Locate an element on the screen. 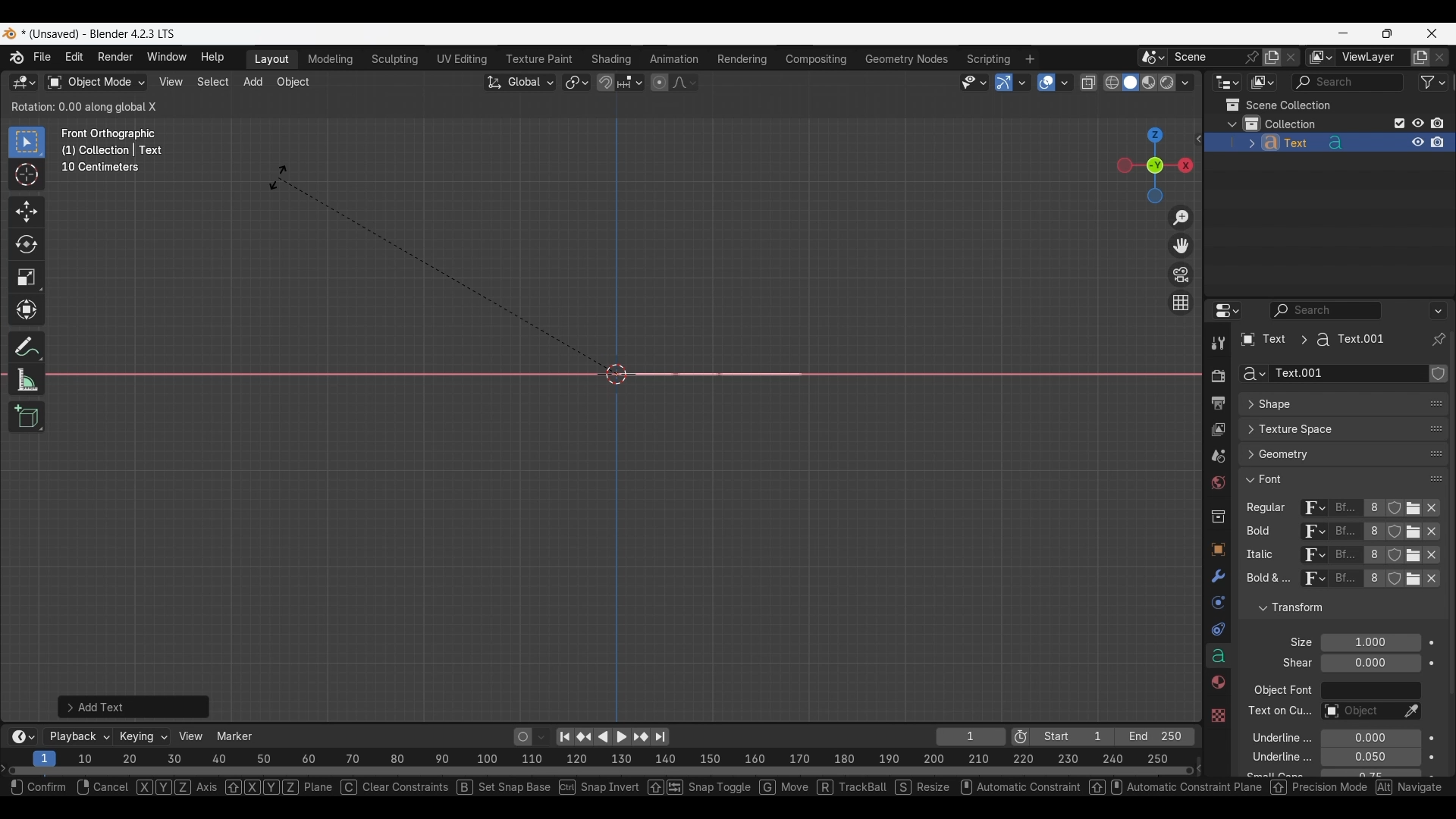 This screenshot has height=819, width=1456. change position is located at coordinates (1437, 427).